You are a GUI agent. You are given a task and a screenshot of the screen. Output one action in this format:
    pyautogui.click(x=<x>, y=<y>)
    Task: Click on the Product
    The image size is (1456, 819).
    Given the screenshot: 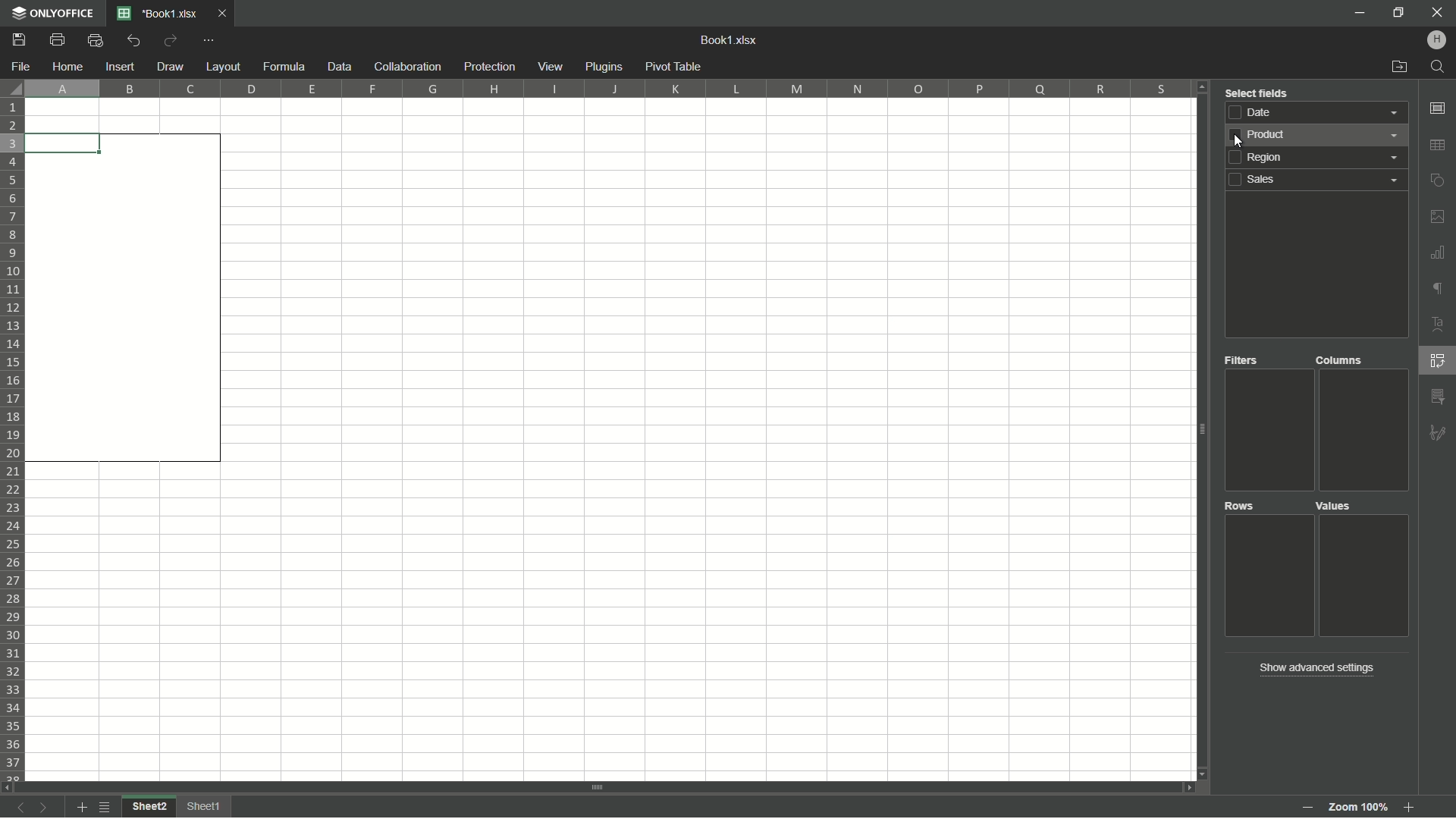 What is the action you would take?
    pyautogui.click(x=1271, y=527)
    